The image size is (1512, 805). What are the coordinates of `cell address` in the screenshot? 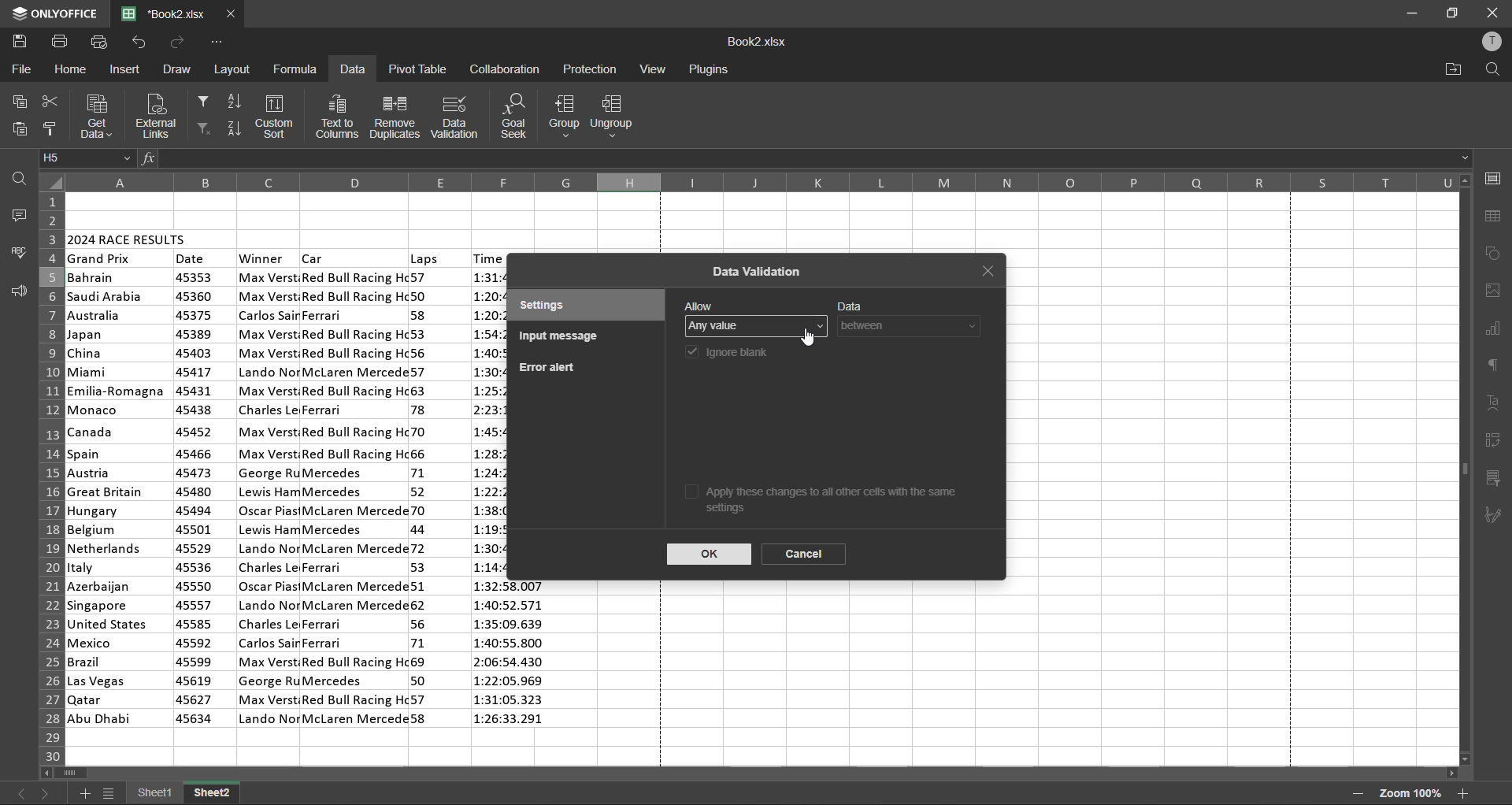 It's located at (87, 158).